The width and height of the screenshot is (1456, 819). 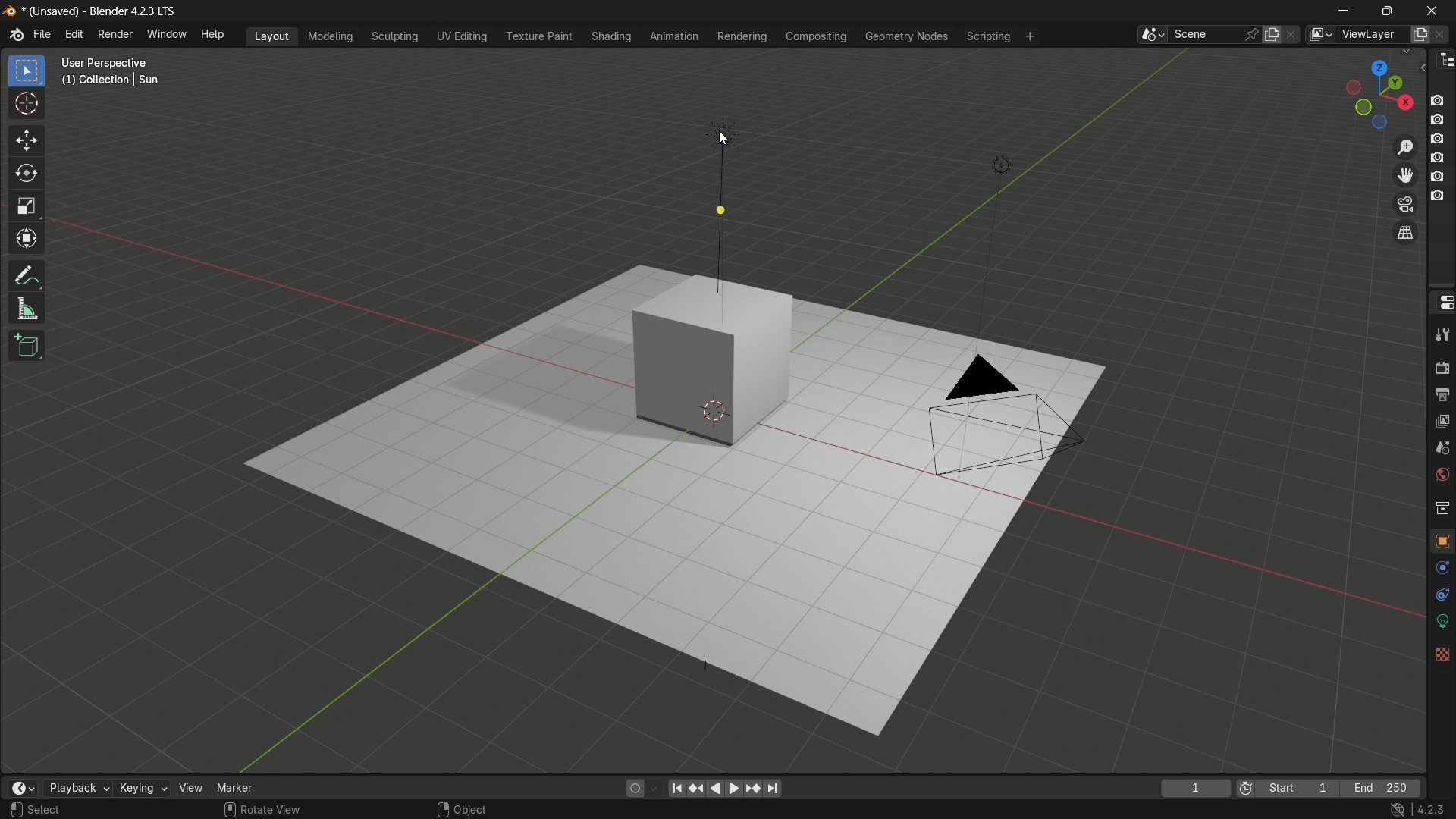 I want to click on 4.2.3, so click(x=1430, y=809).